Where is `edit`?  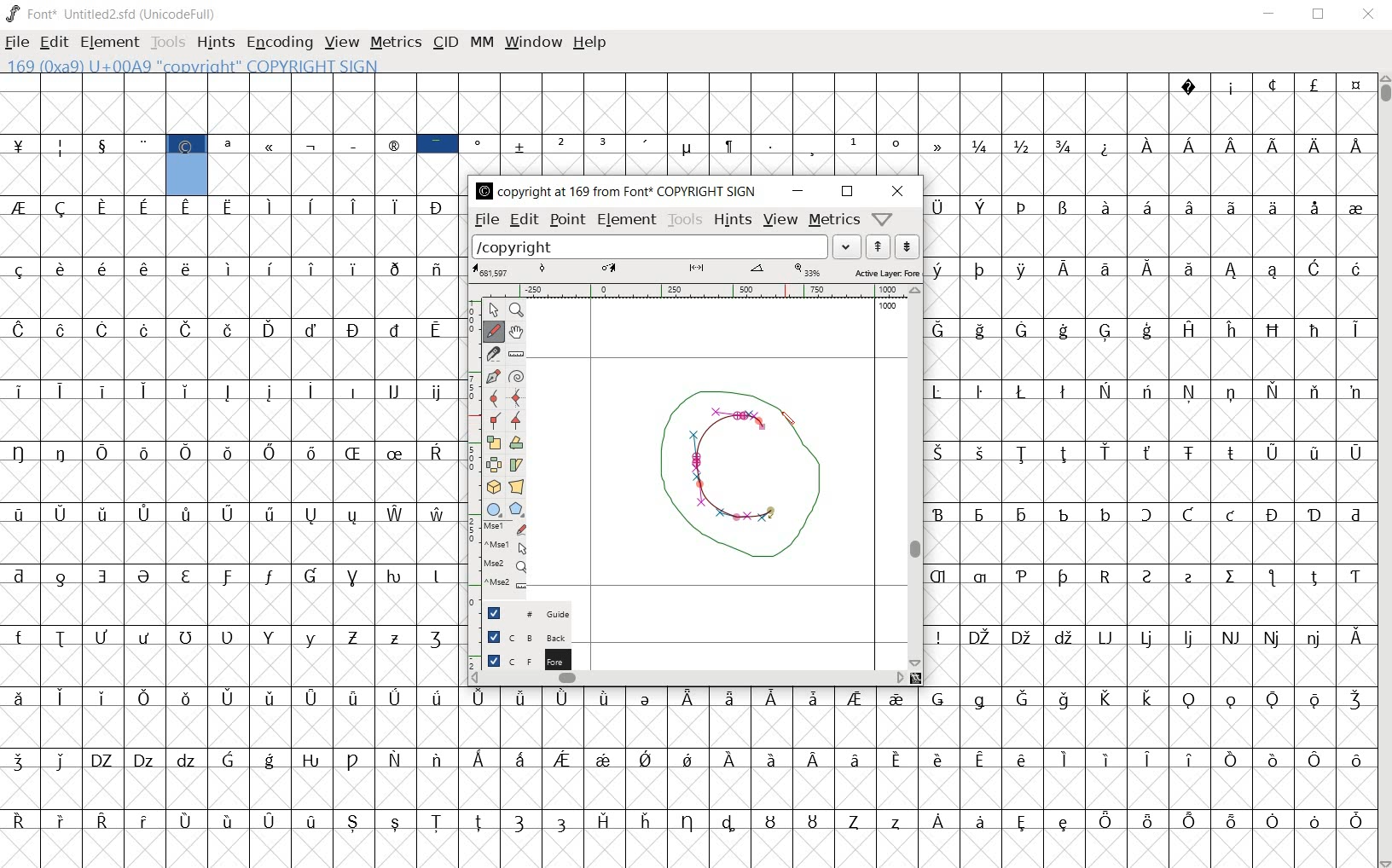 edit is located at coordinates (52, 40).